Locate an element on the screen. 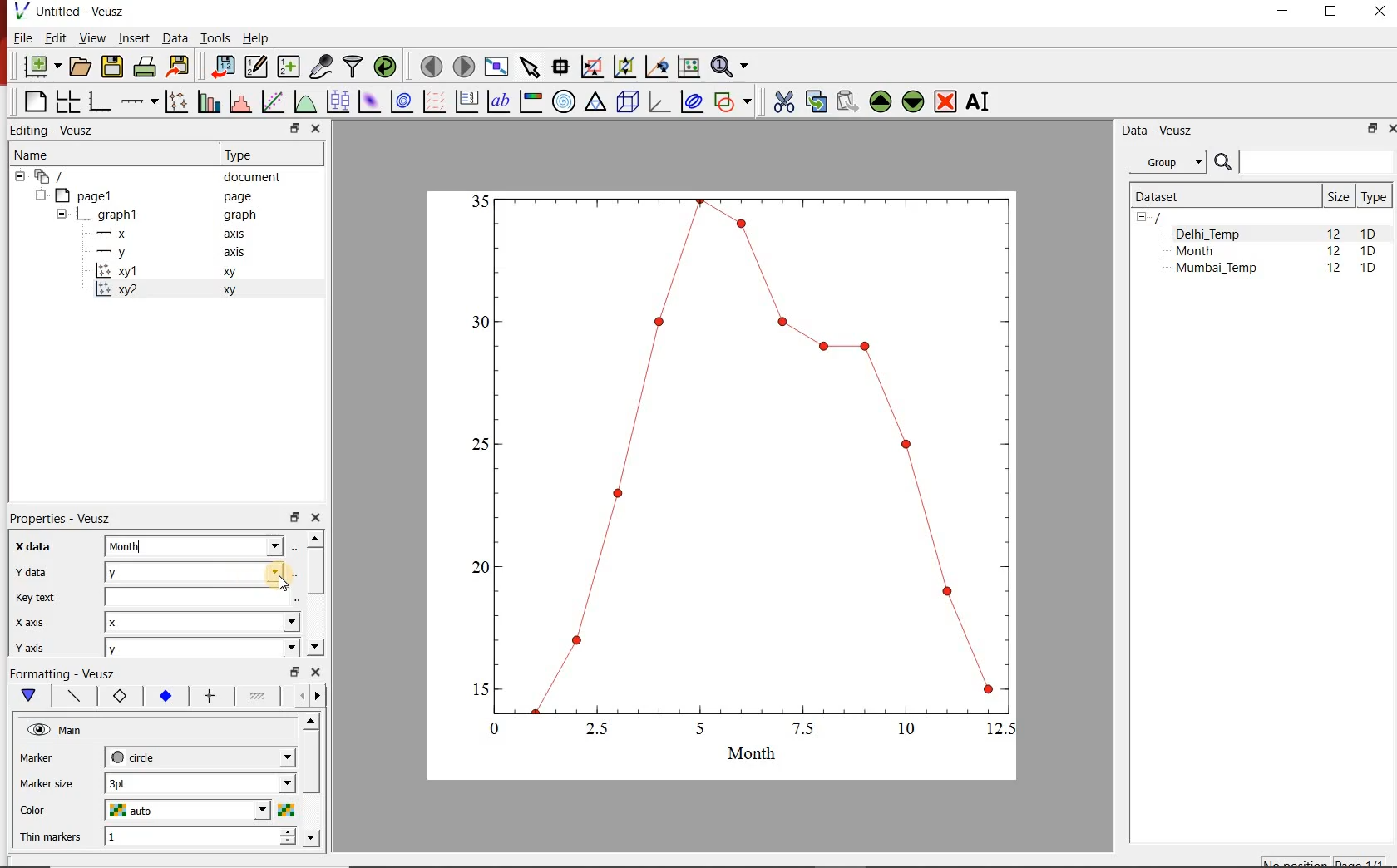 The height and width of the screenshot is (868, 1397). arrange graphs in a grid is located at coordinates (67, 101).